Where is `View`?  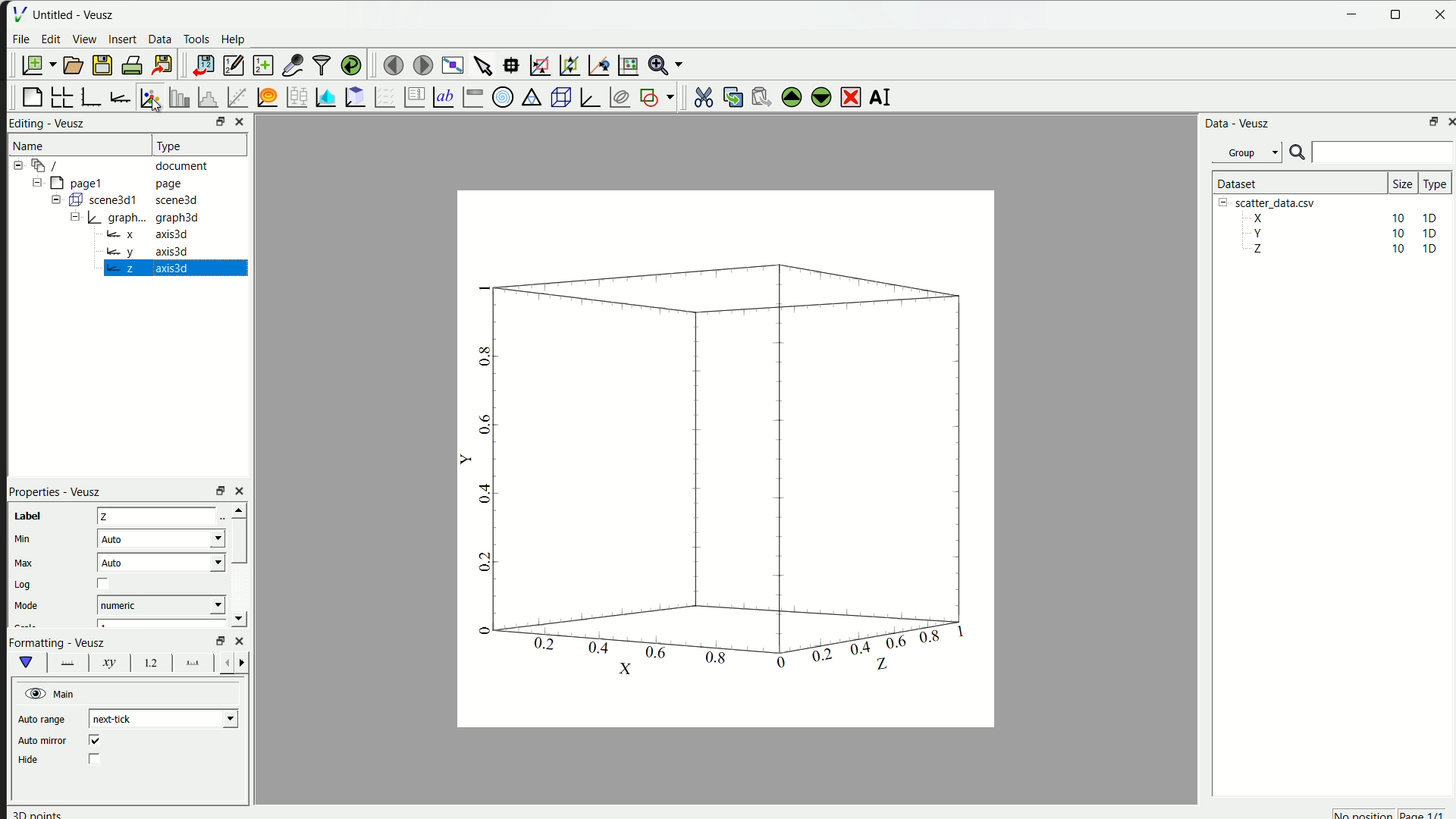 View is located at coordinates (83, 38).